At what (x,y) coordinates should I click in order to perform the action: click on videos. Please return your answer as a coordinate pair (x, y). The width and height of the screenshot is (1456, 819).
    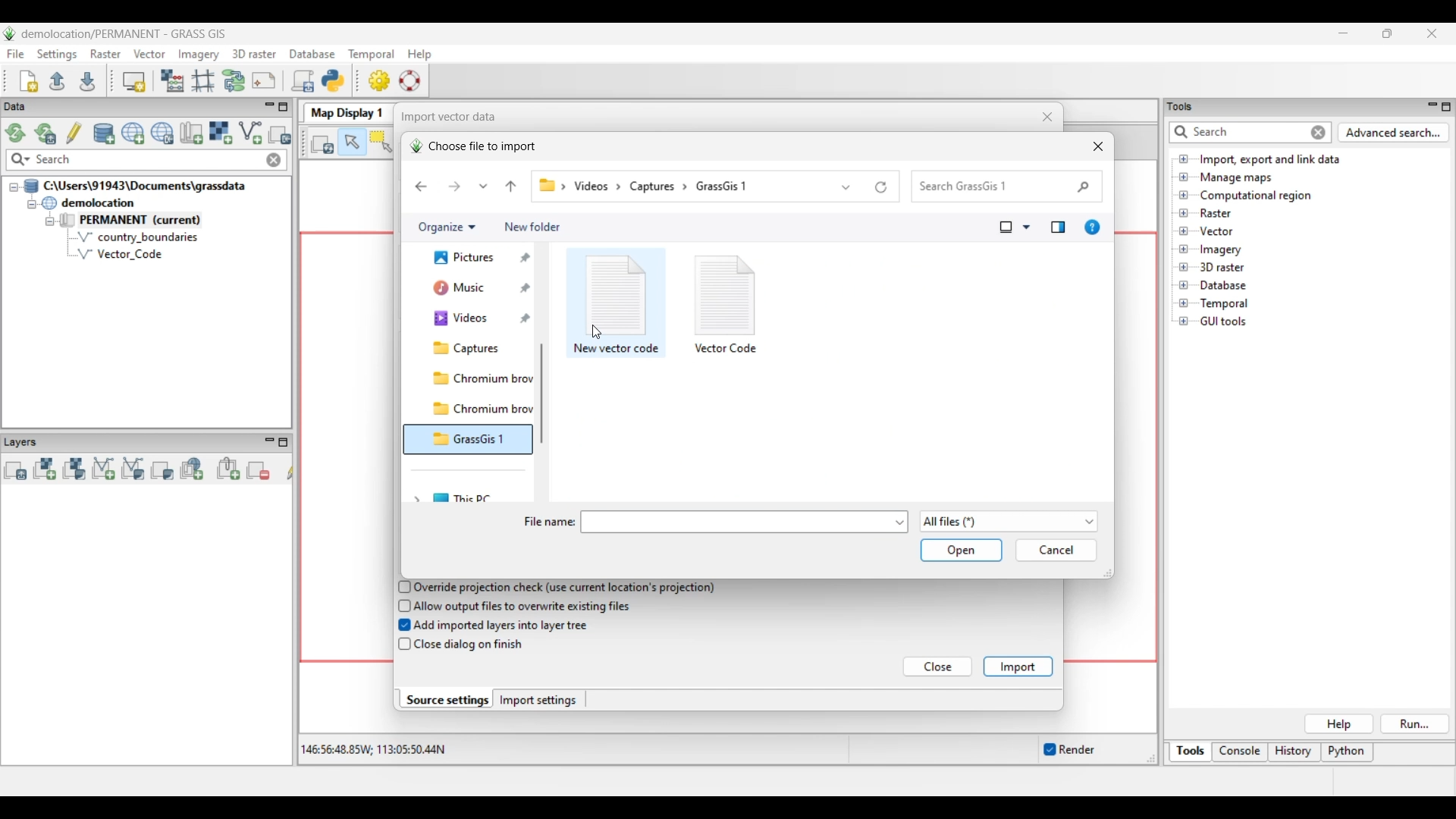
    Looking at the image, I should click on (596, 186).